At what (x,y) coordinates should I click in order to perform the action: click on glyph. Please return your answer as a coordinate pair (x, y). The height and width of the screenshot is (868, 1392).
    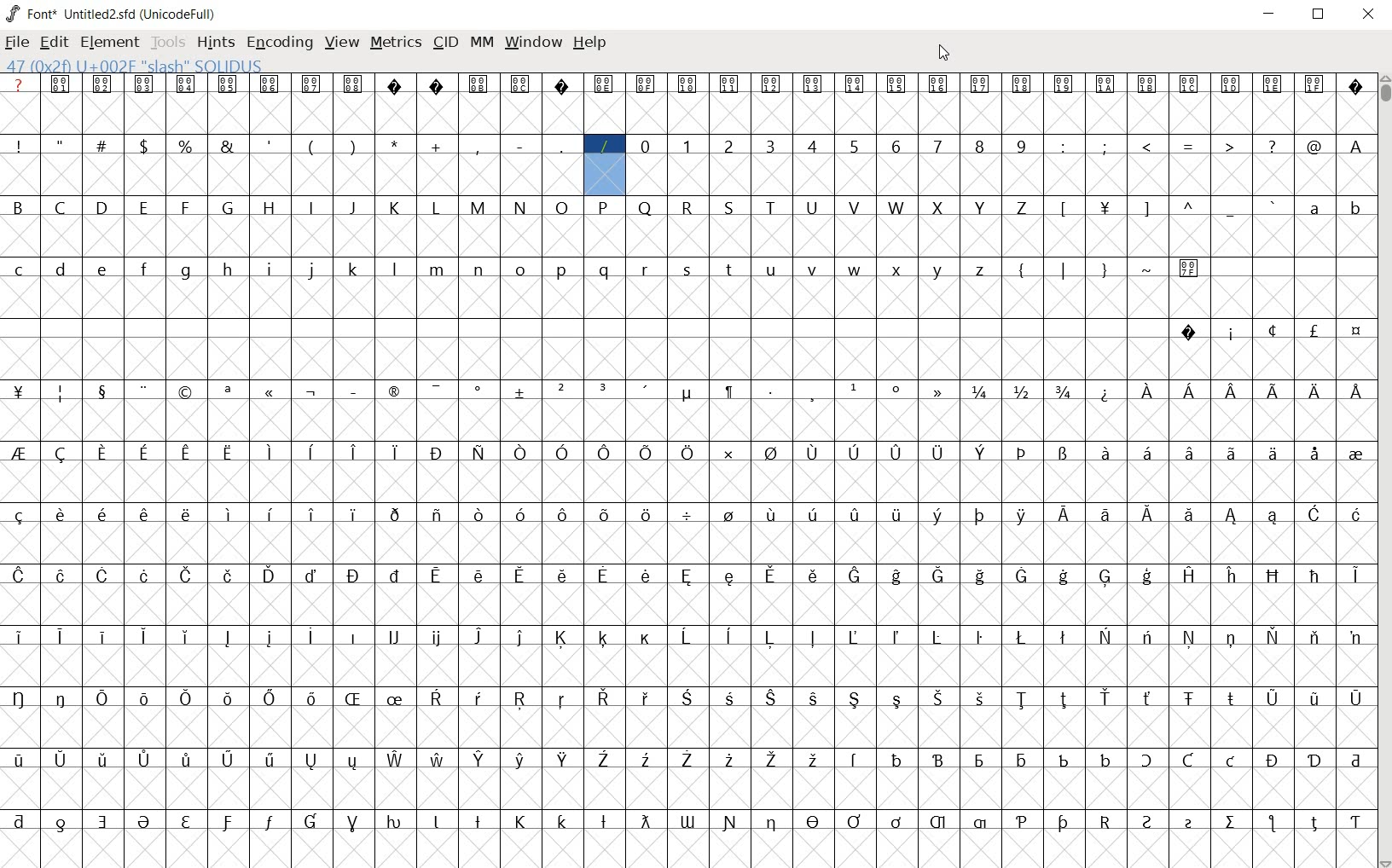
    Looking at the image, I should click on (1355, 455).